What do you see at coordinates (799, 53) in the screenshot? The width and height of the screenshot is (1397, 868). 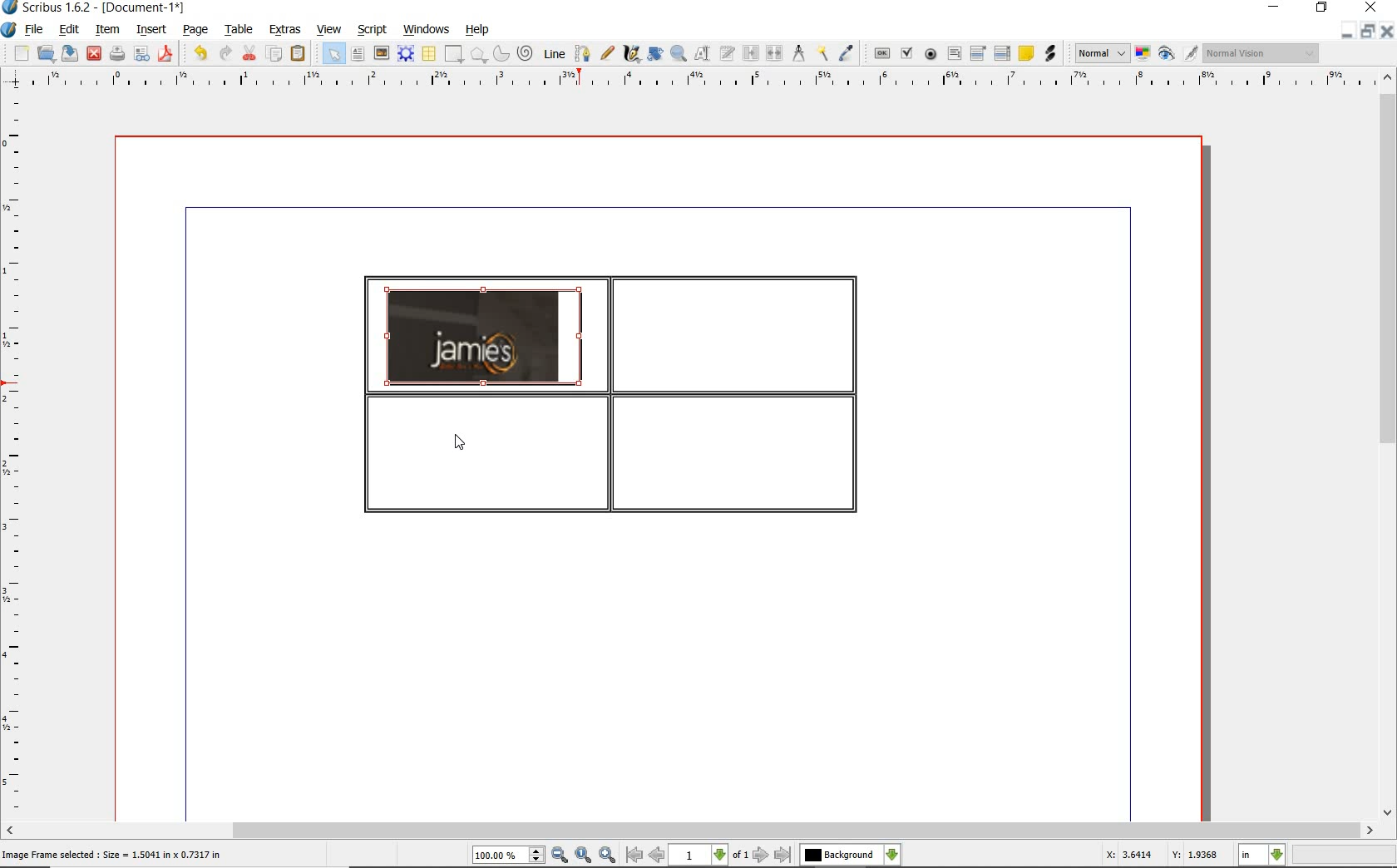 I see `measurements` at bounding box center [799, 53].